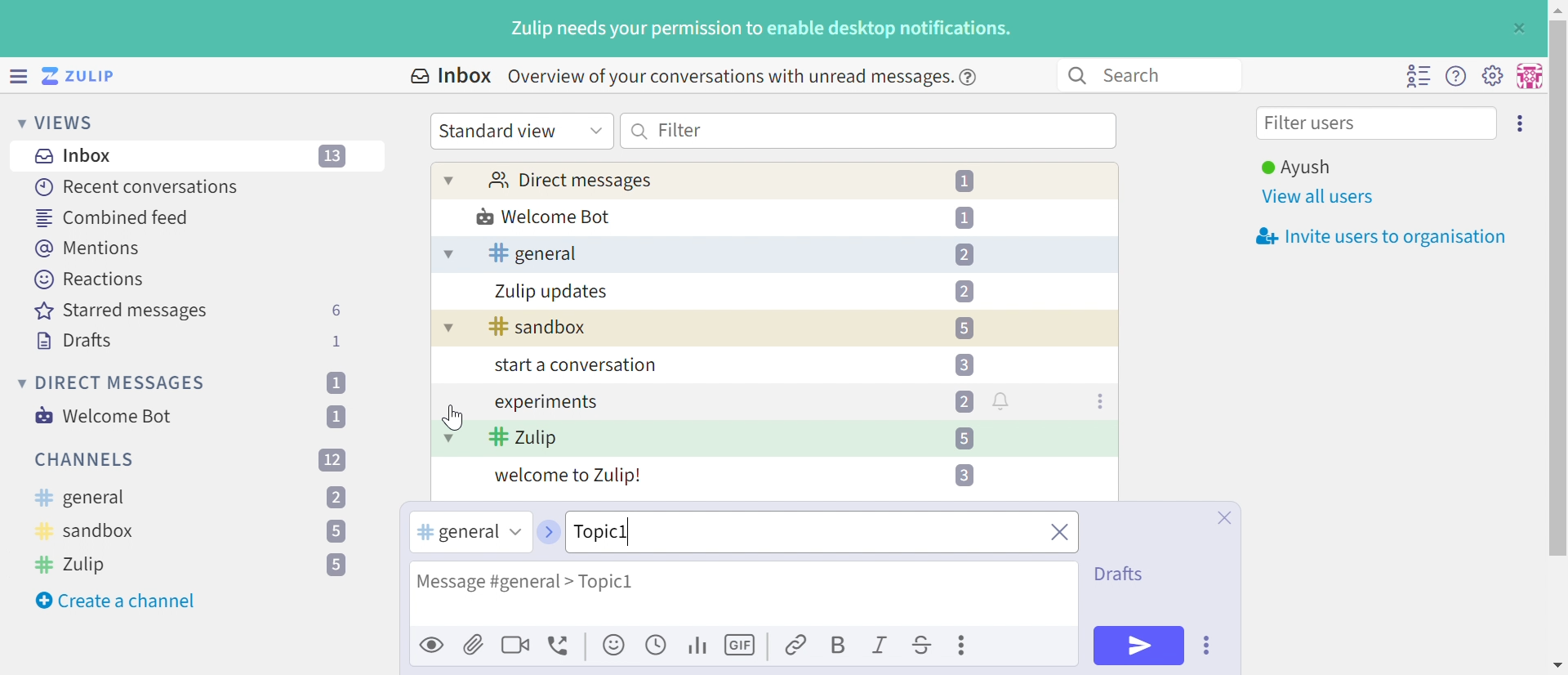 This screenshot has height=675, width=1568. Describe the element at coordinates (332, 458) in the screenshot. I see `12` at that location.